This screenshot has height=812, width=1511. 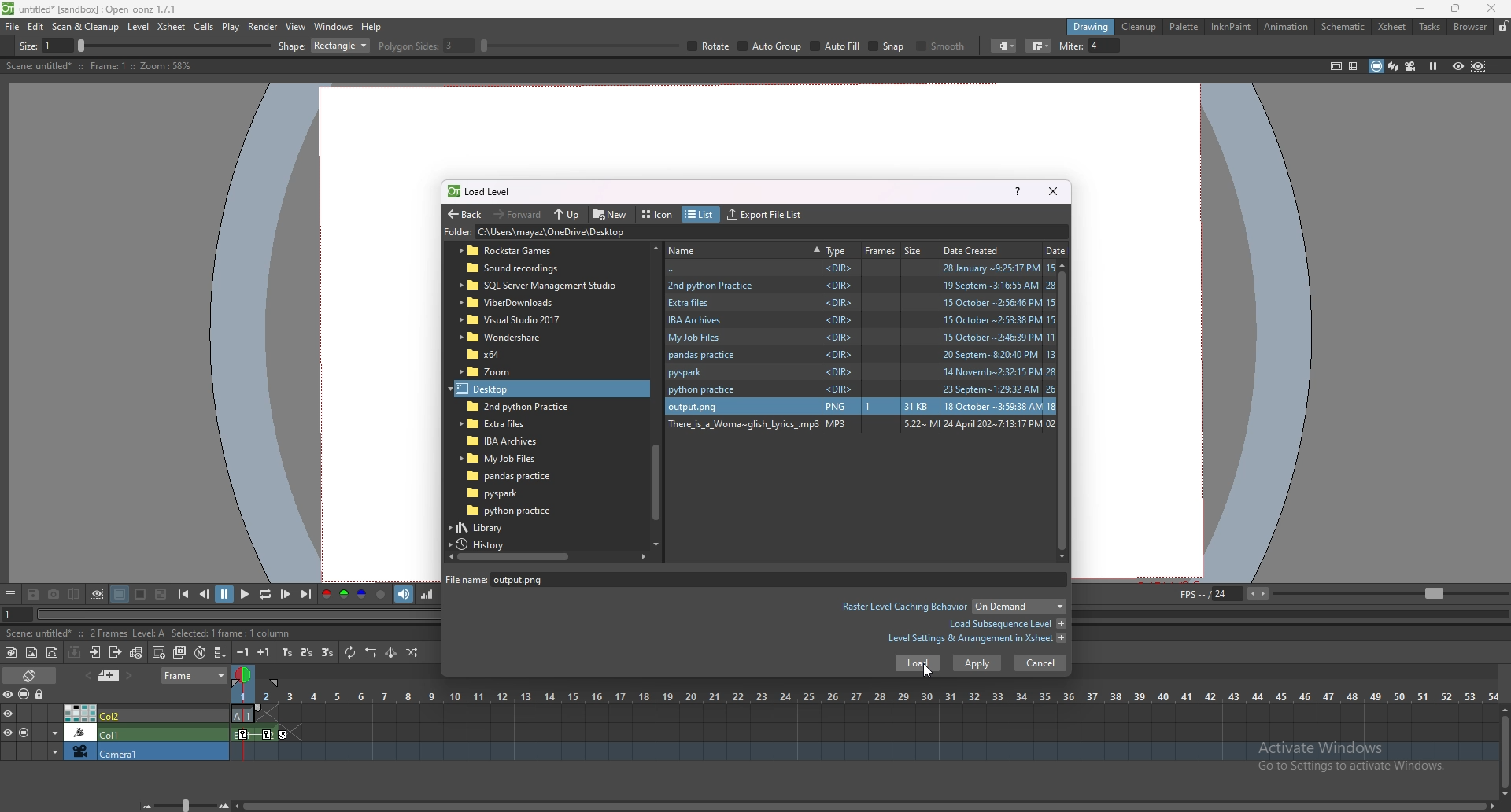 I want to click on camera view, so click(x=1411, y=66).